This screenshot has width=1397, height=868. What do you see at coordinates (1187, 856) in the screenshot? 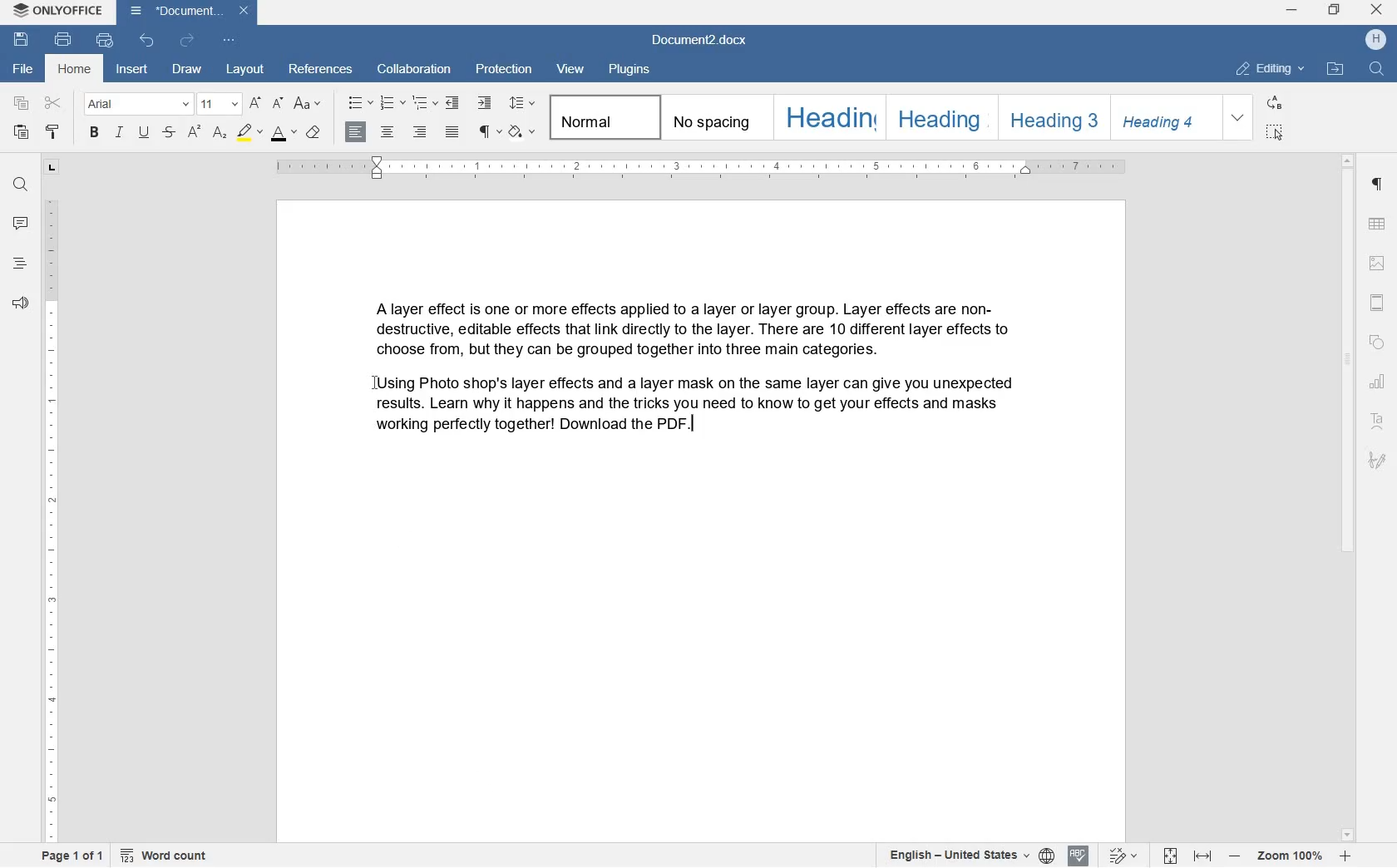
I see `FIT TO PAGE OR WIDTH` at bounding box center [1187, 856].